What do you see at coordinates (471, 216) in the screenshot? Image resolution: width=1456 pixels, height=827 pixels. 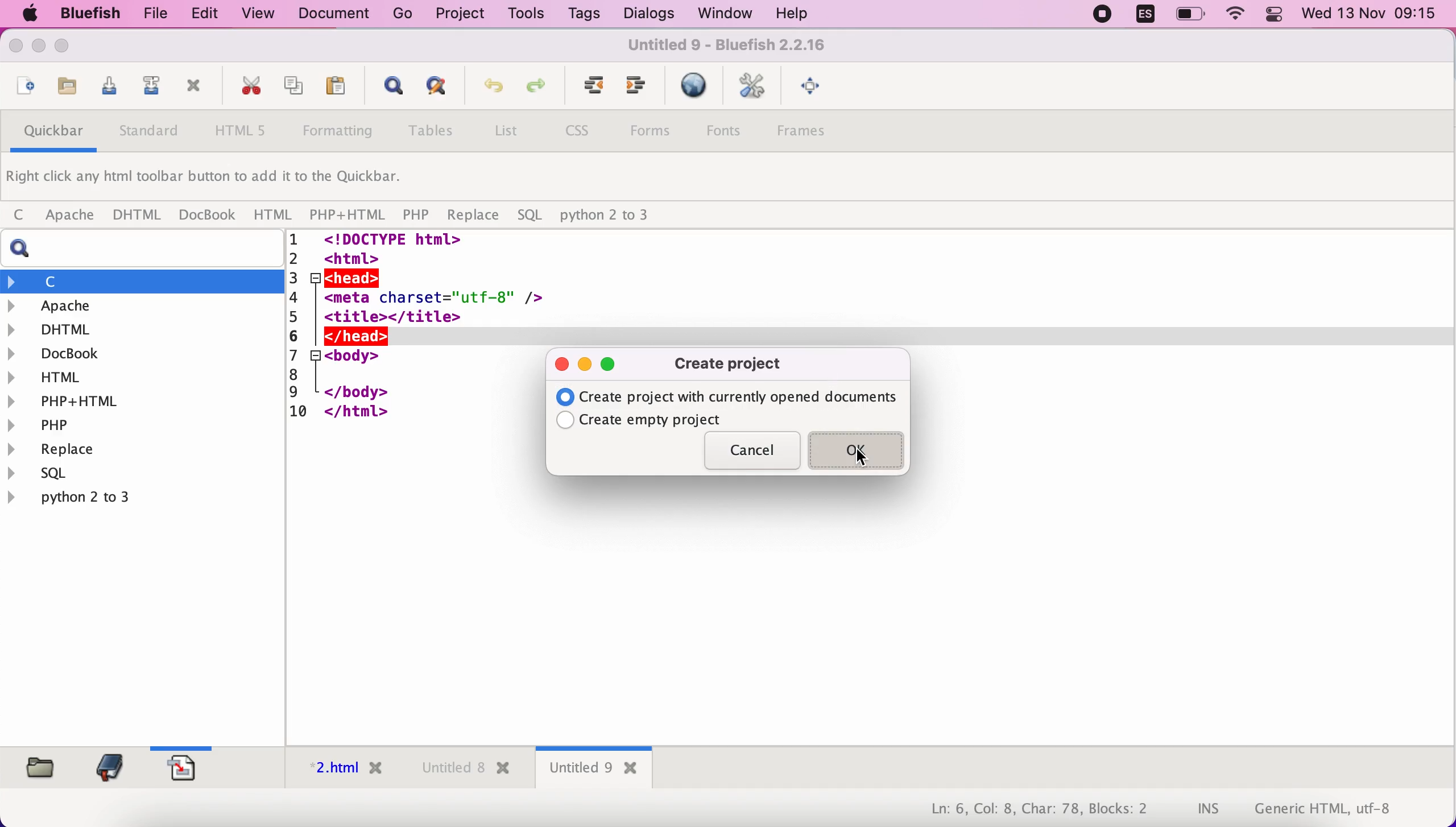 I see `replace` at bounding box center [471, 216].